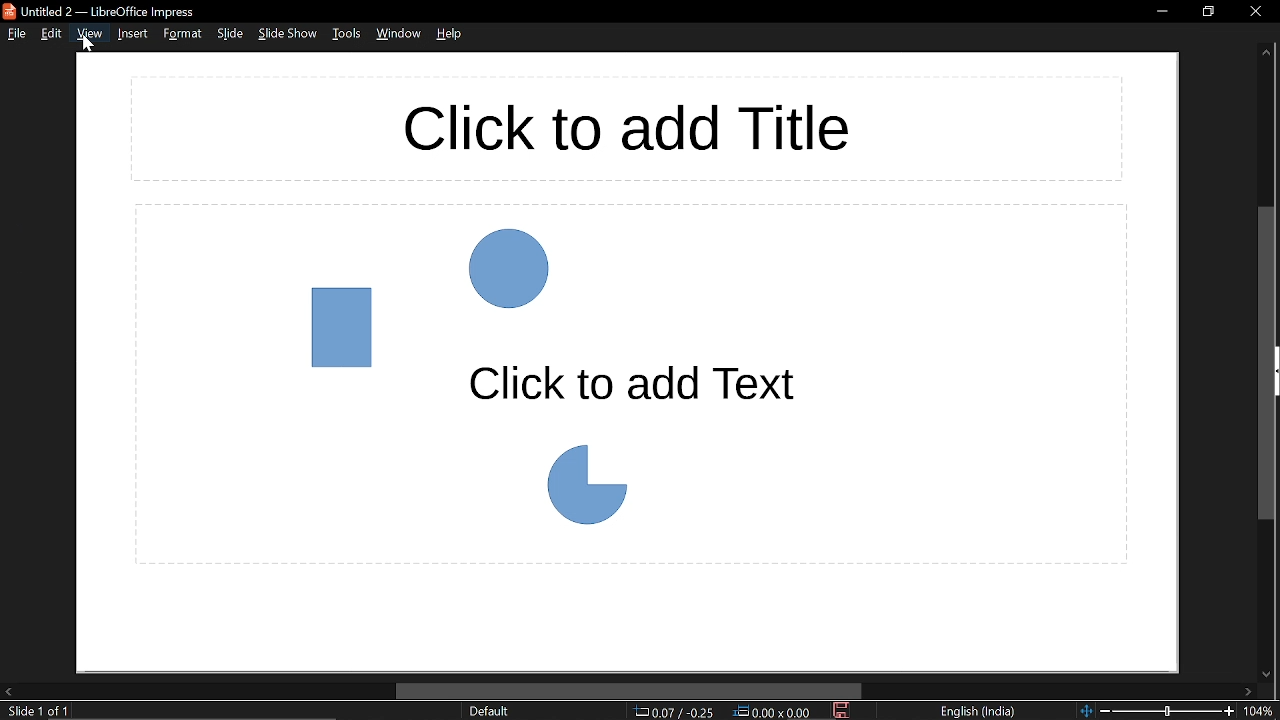 The width and height of the screenshot is (1280, 720). Describe the element at coordinates (1266, 365) in the screenshot. I see `Vertical scrollbar` at that location.